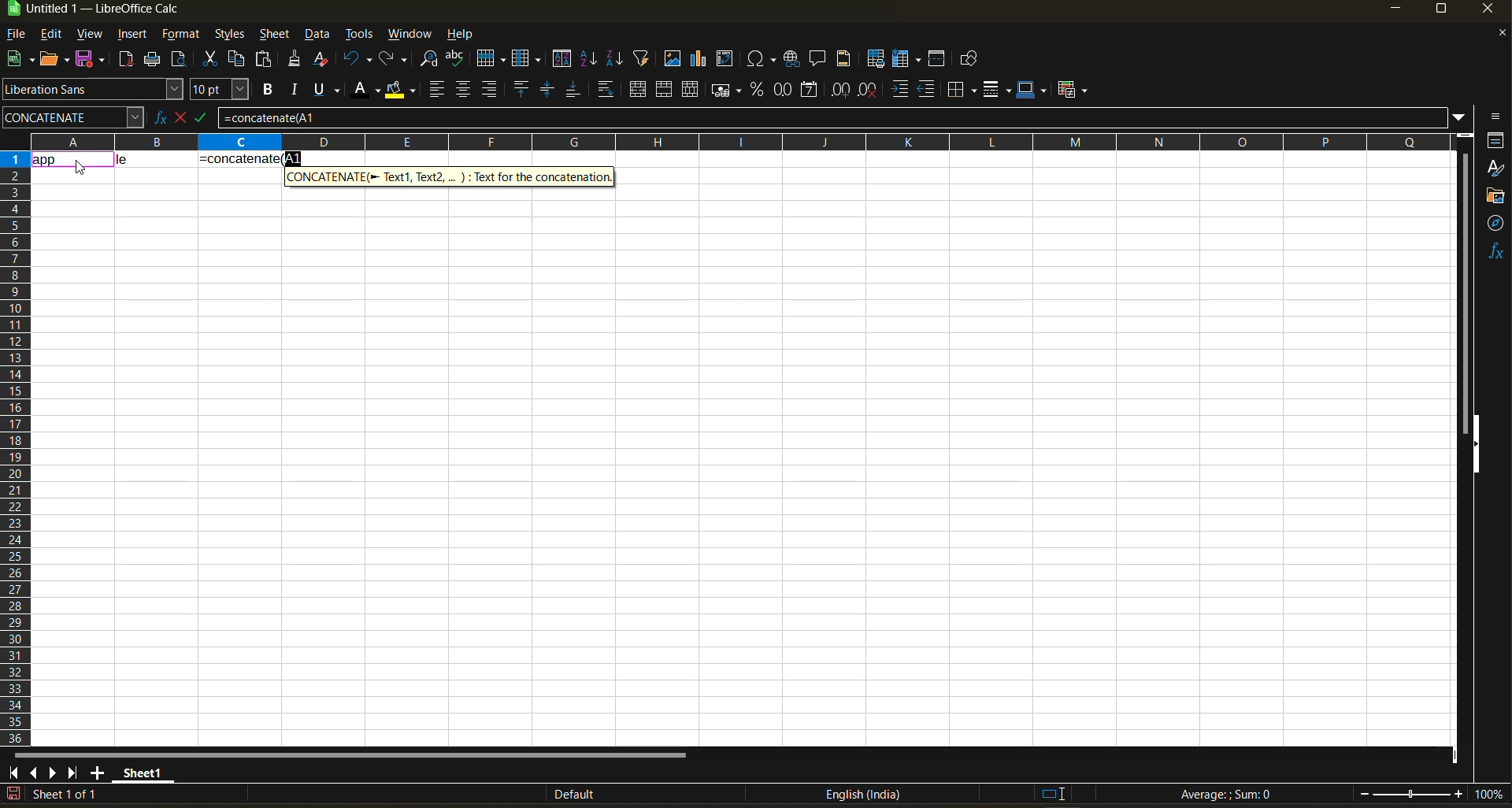 The width and height of the screenshot is (1512, 808). What do you see at coordinates (613, 58) in the screenshot?
I see `sort descending` at bounding box center [613, 58].